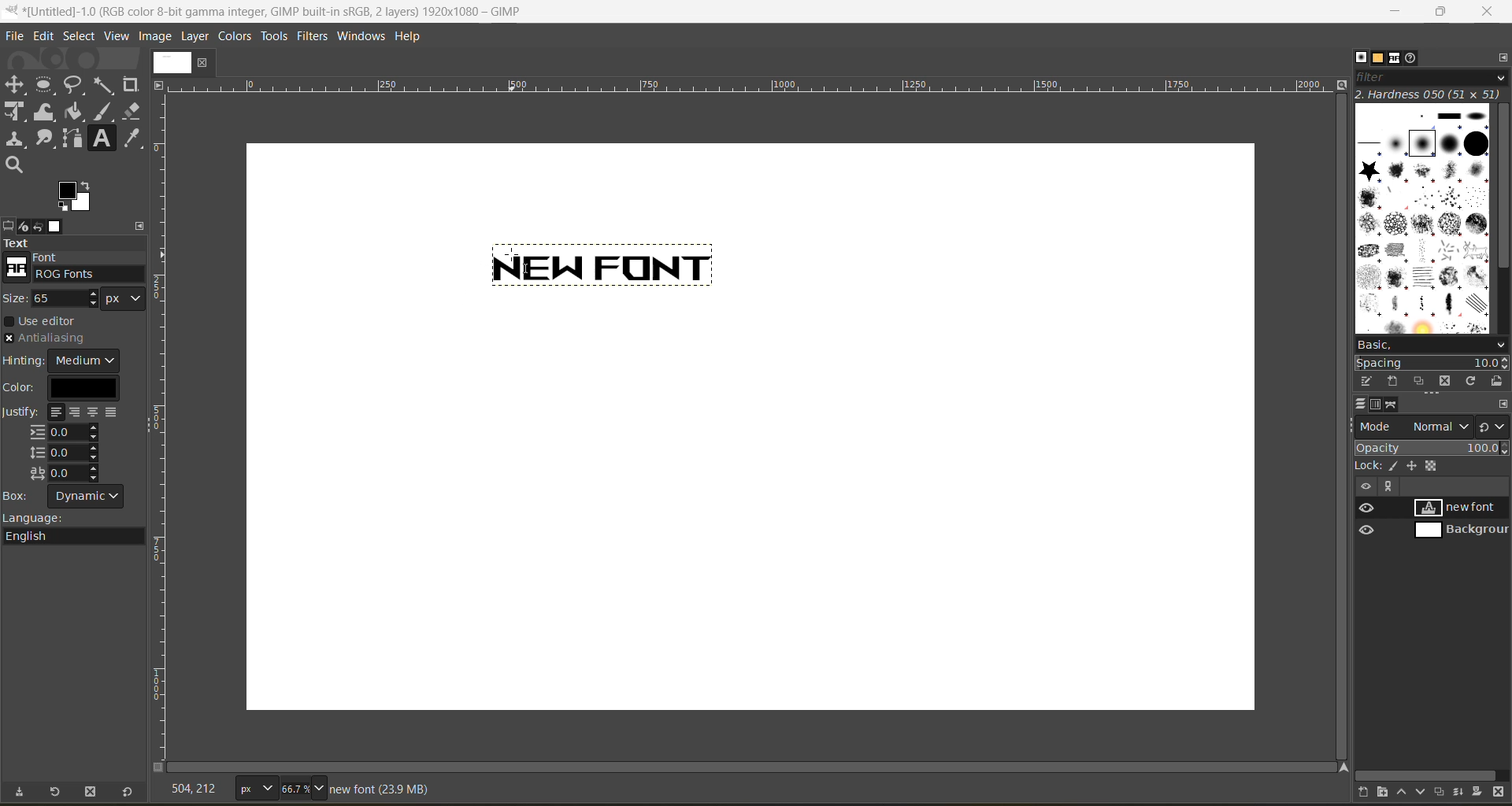 This screenshot has width=1512, height=806. Describe the element at coordinates (69, 387) in the screenshot. I see `color` at that location.